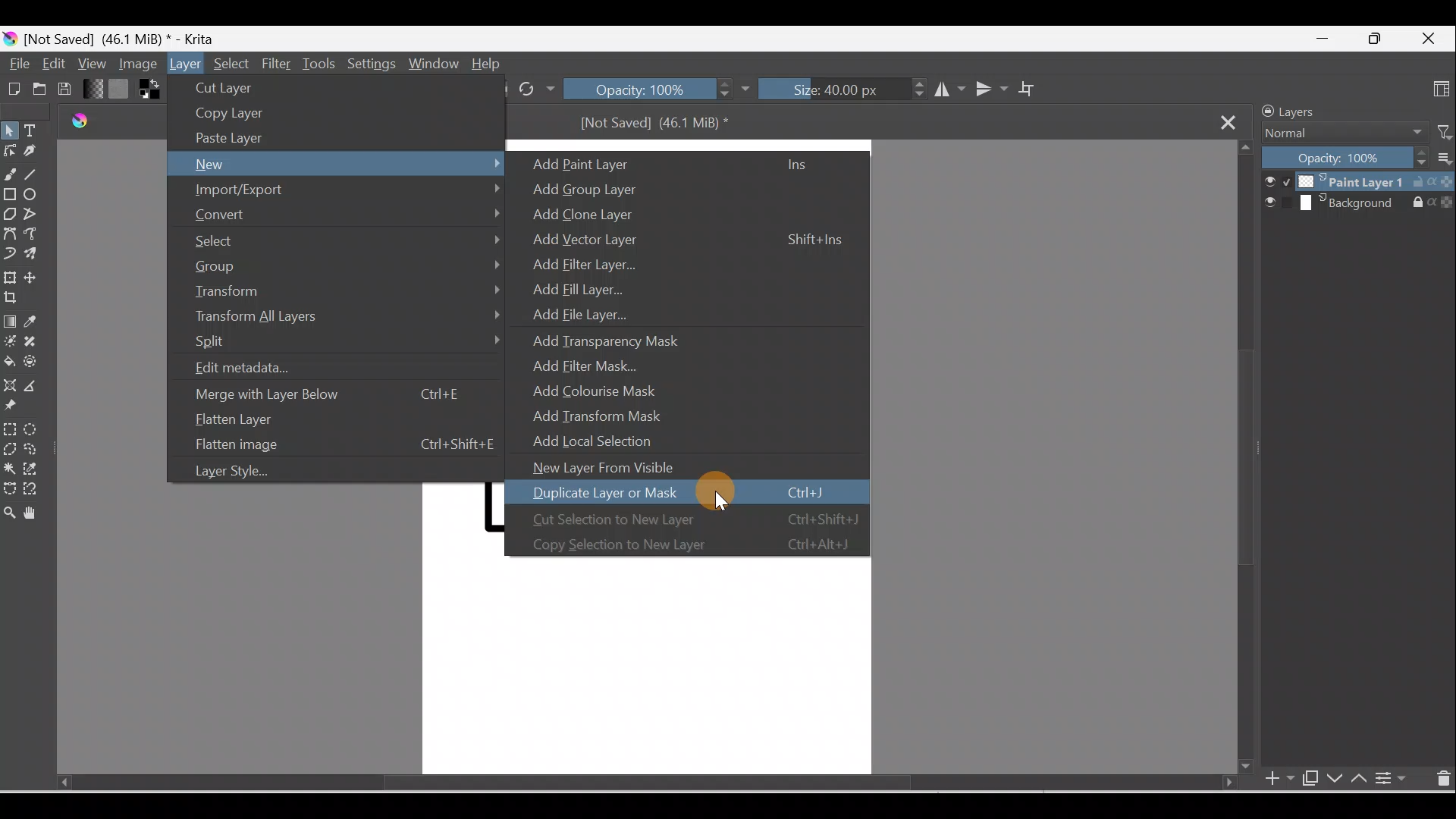 This screenshot has width=1456, height=819. Describe the element at coordinates (567, 311) in the screenshot. I see `Add file layer` at that location.